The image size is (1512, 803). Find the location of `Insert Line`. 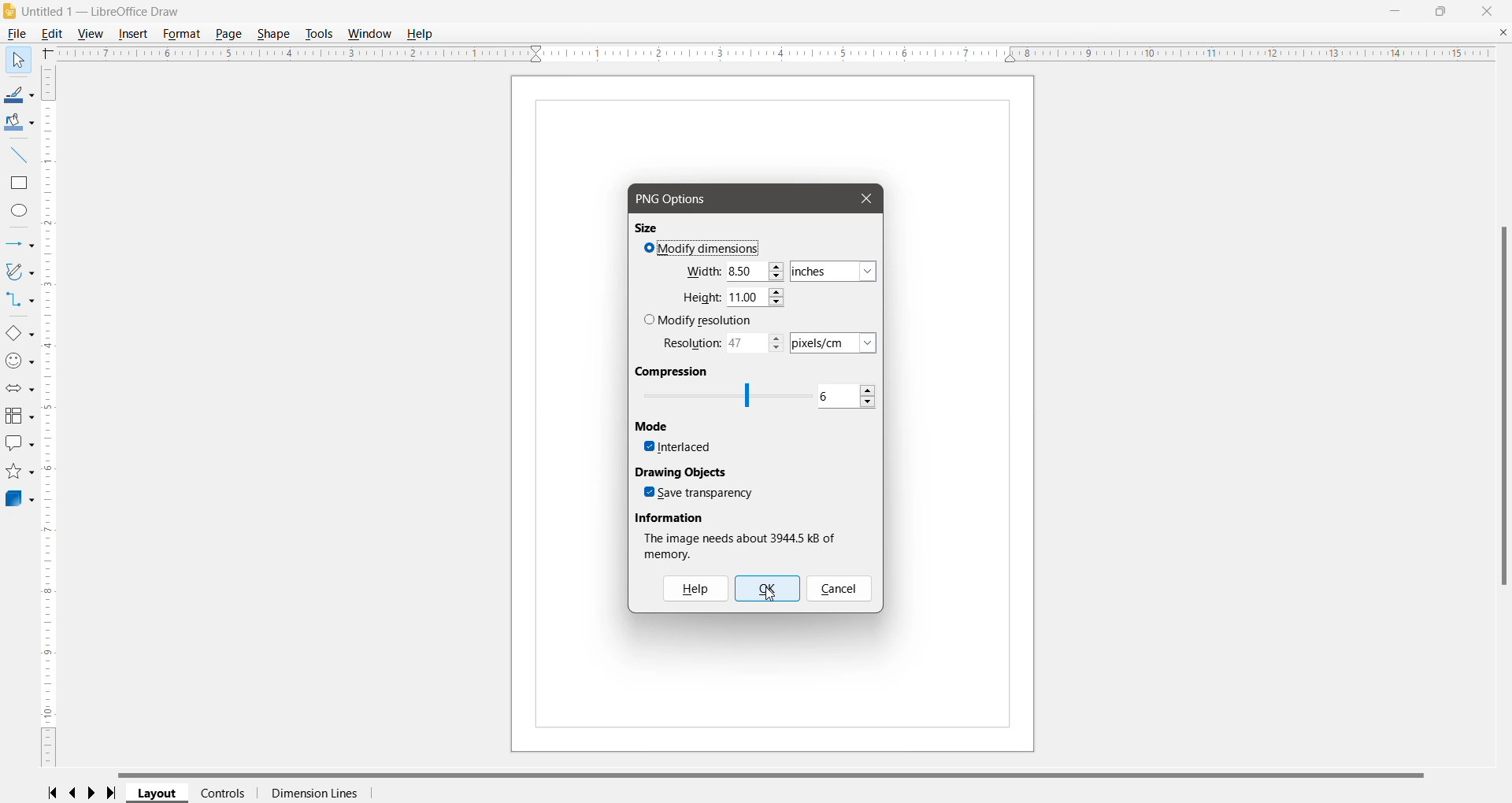

Insert Line is located at coordinates (20, 155).